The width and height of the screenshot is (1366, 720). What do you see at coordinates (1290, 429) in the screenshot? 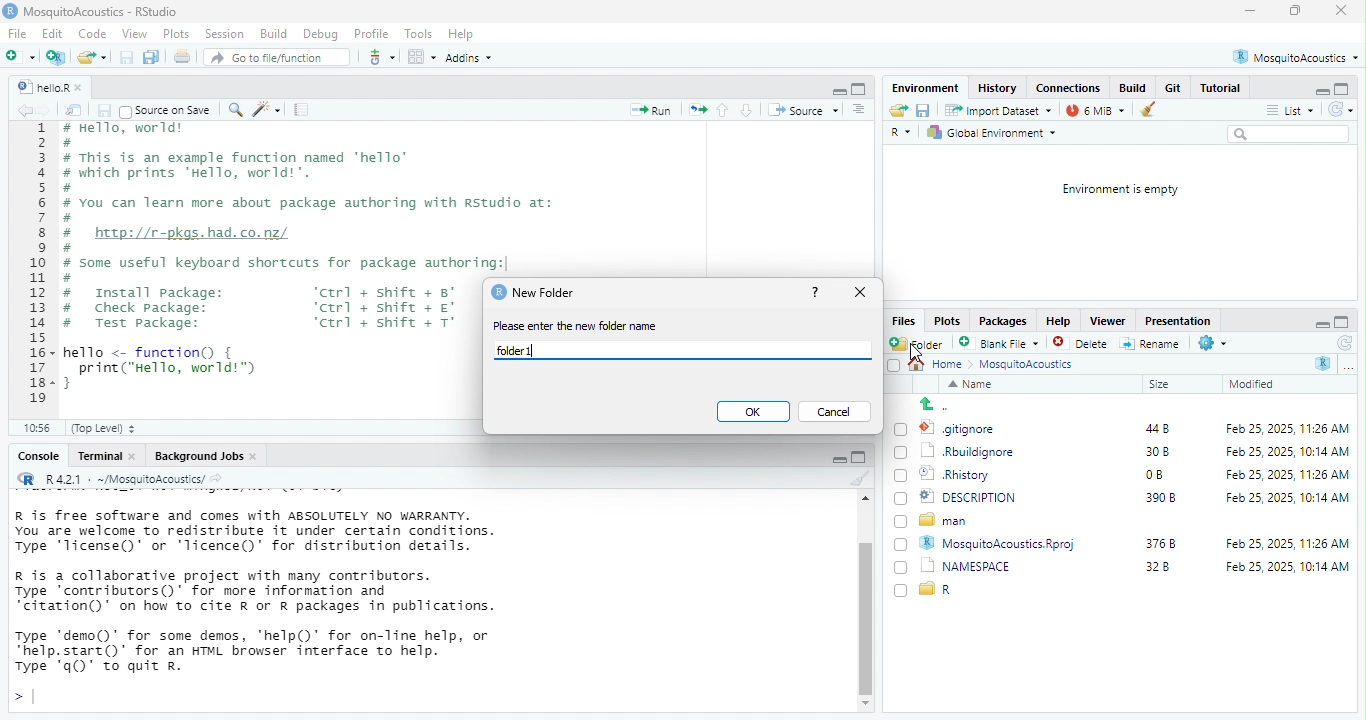
I see `Feb 25, 2025, 11:26 AM.` at bounding box center [1290, 429].